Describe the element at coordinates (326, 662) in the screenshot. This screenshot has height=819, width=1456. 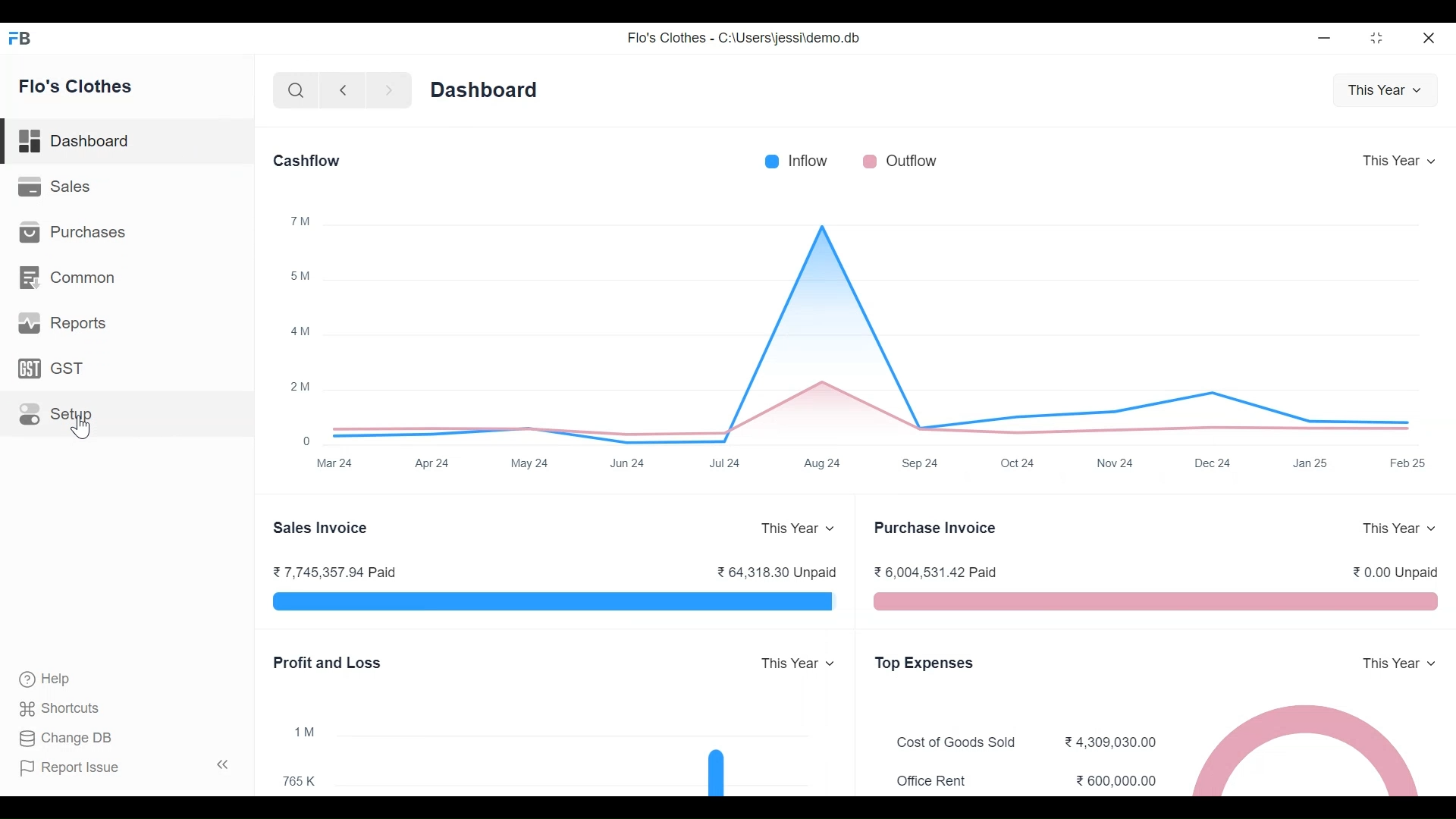
I see `profit and loss` at that location.